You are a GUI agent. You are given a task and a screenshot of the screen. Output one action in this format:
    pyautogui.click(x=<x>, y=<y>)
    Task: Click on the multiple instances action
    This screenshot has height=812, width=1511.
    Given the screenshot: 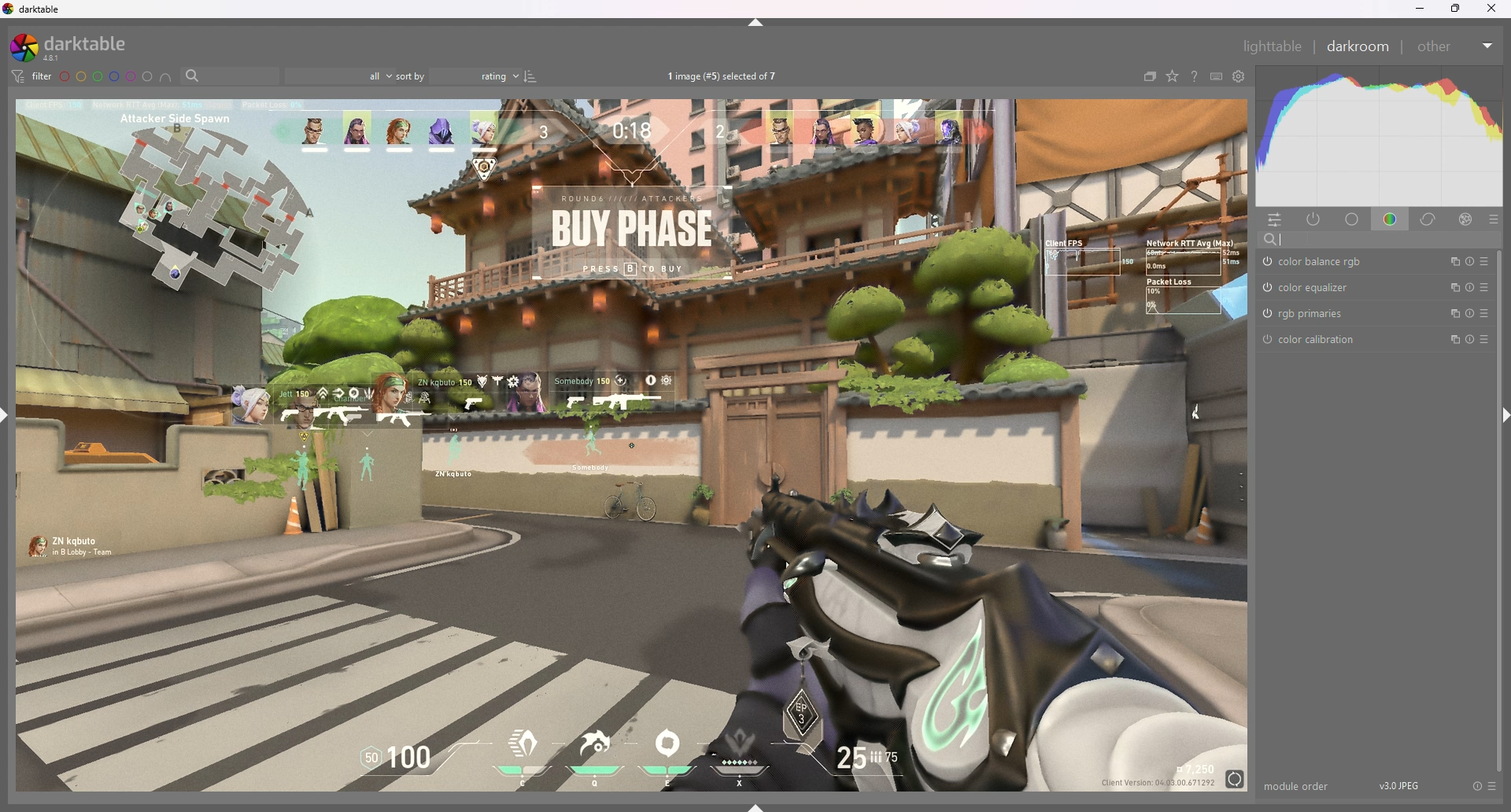 What is the action you would take?
    pyautogui.click(x=1451, y=287)
    